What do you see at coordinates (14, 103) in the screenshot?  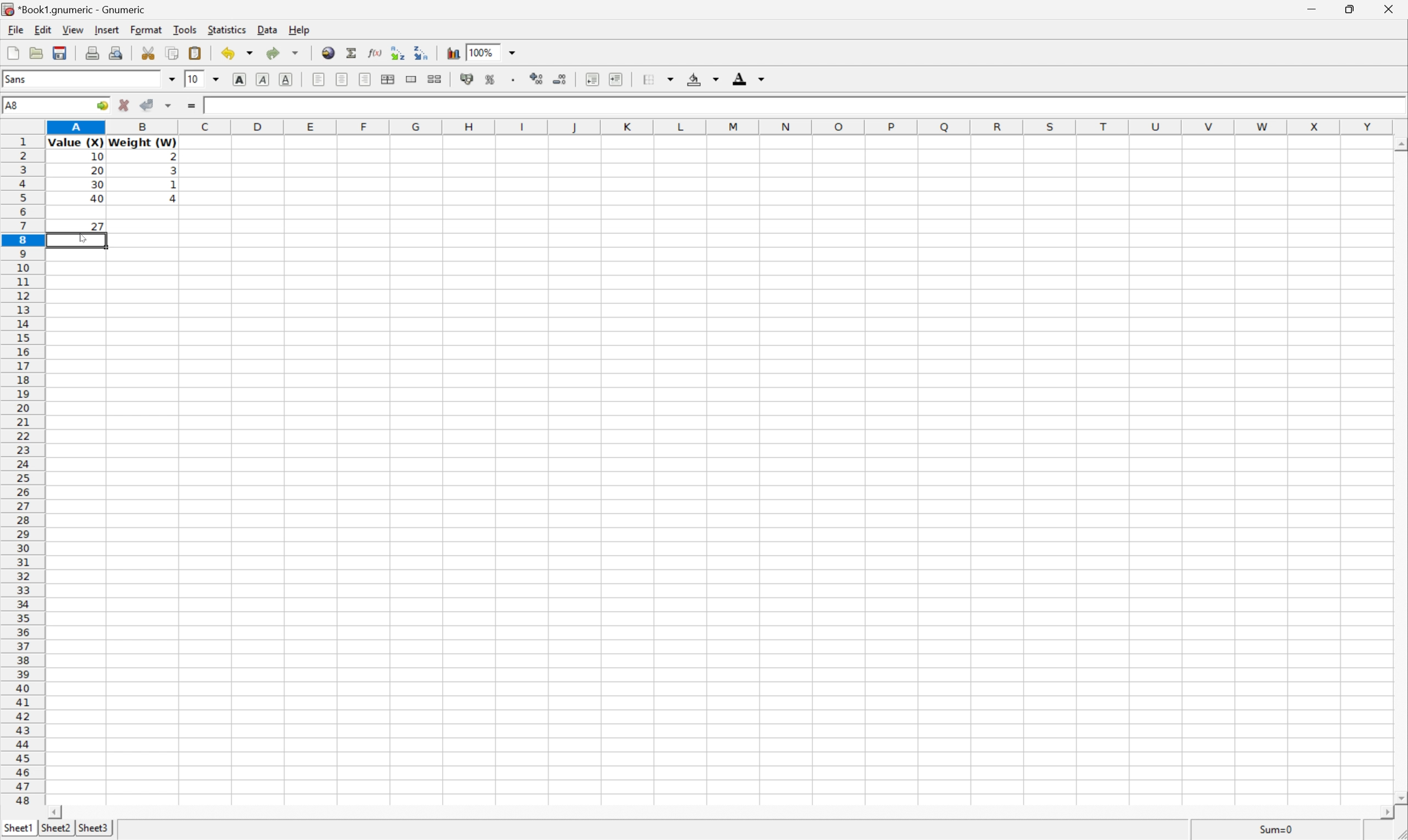 I see `A1` at bounding box center [14, 103].